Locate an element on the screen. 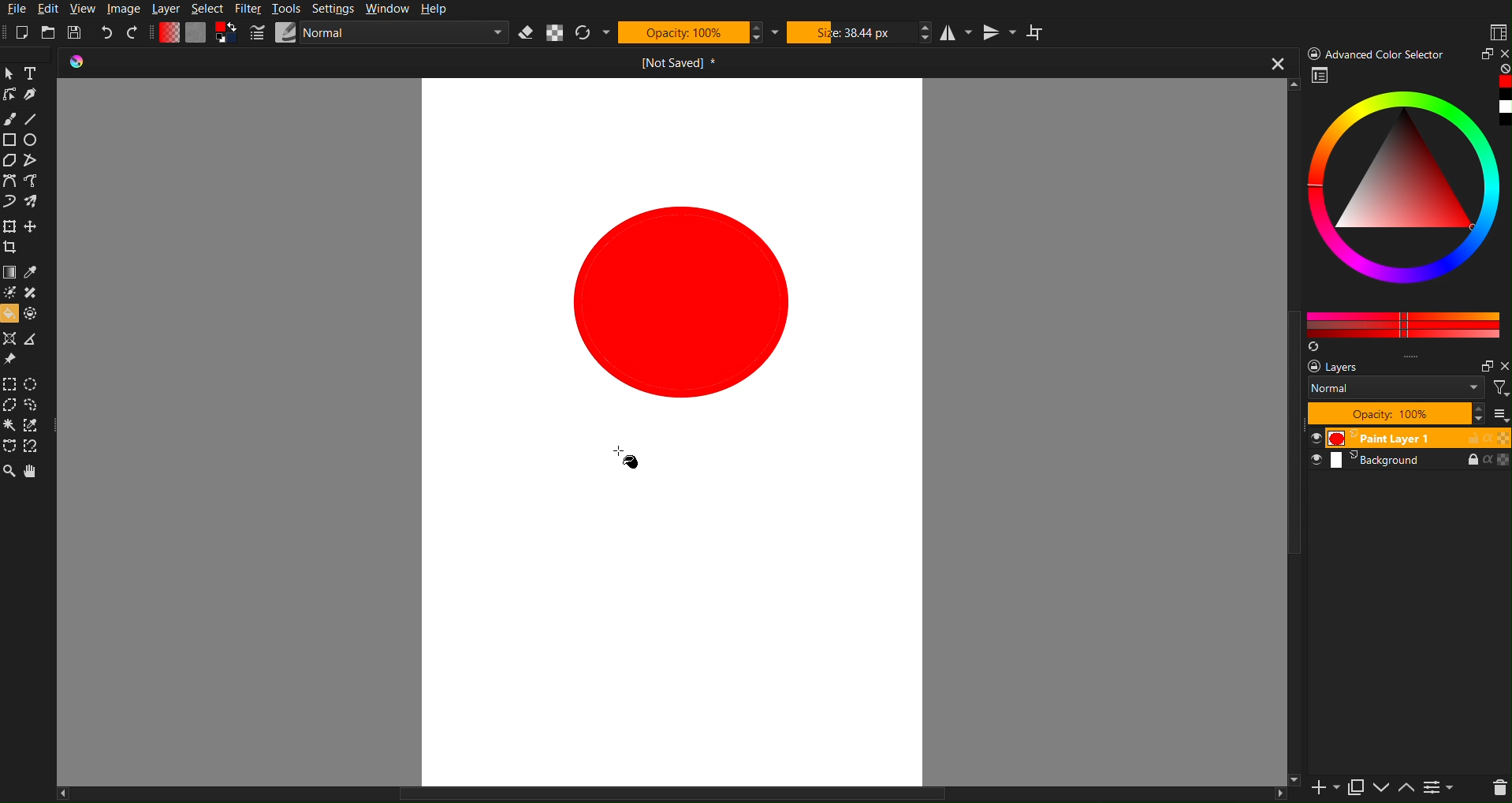 The width and height of the screenshot is (1512, 803). Refresh is located at coordinates (1313, 347).